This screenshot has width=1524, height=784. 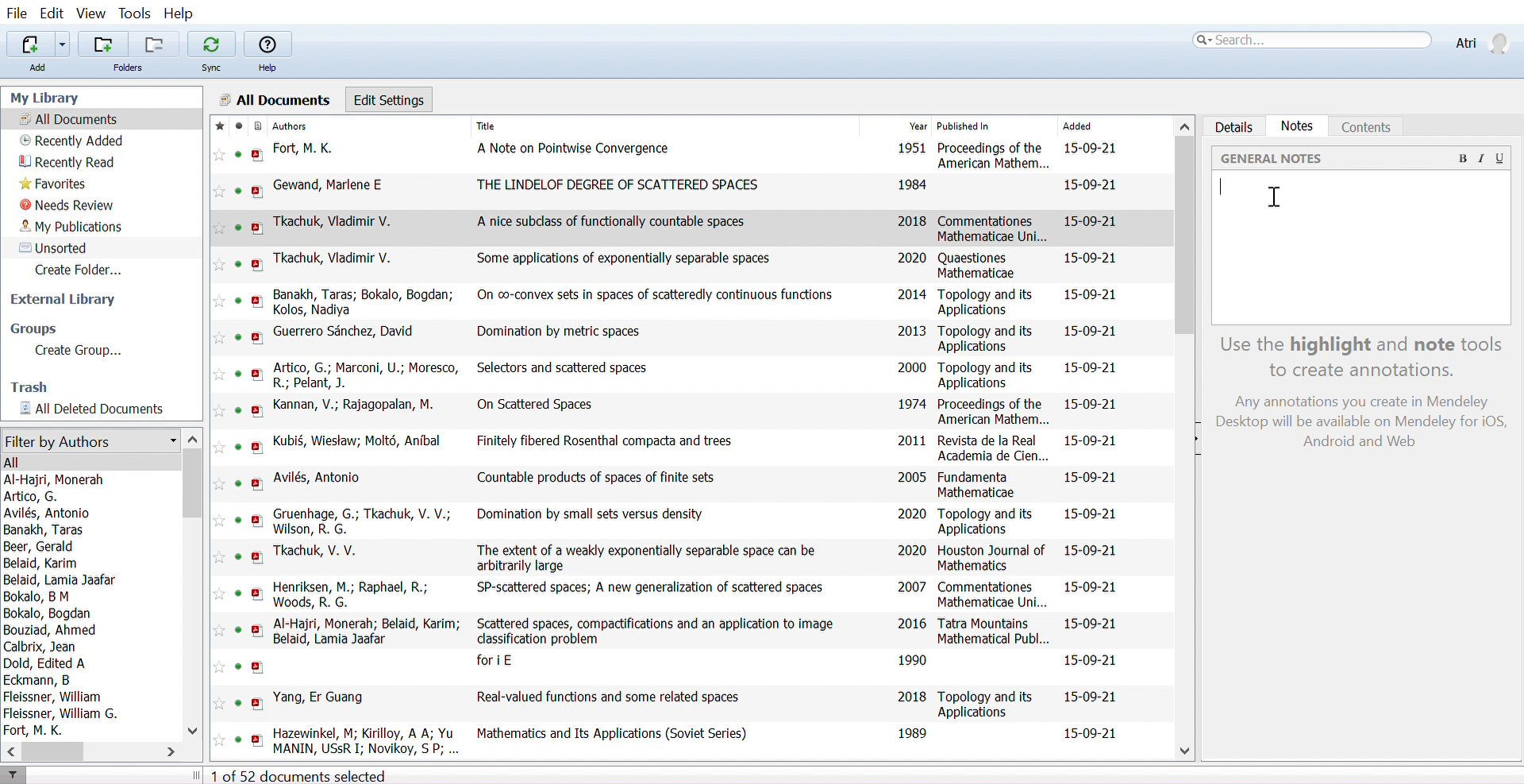 I want to click on Banakh, Taras; Bokalo, Bogdan; Kolos, Nadiya, so click(x=364, y=302).